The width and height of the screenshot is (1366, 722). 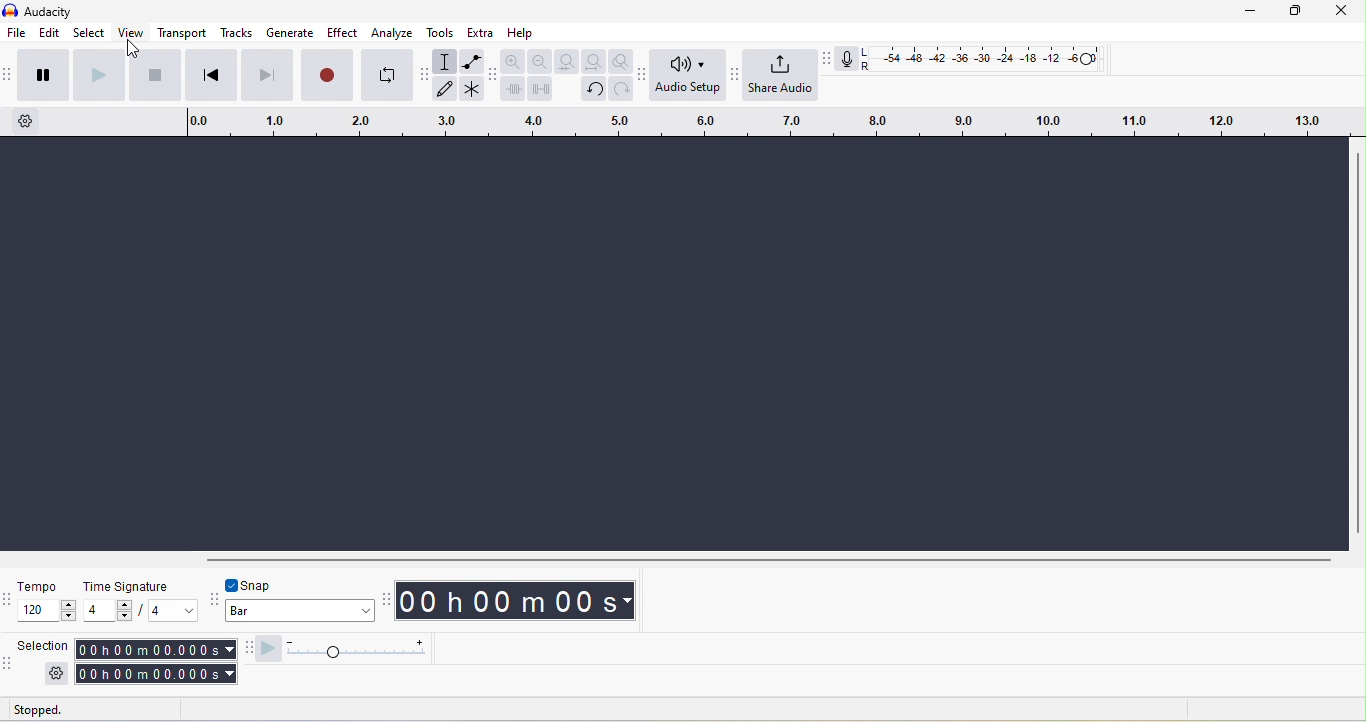 I want to click on audio setup, so click(x=688, y=74).